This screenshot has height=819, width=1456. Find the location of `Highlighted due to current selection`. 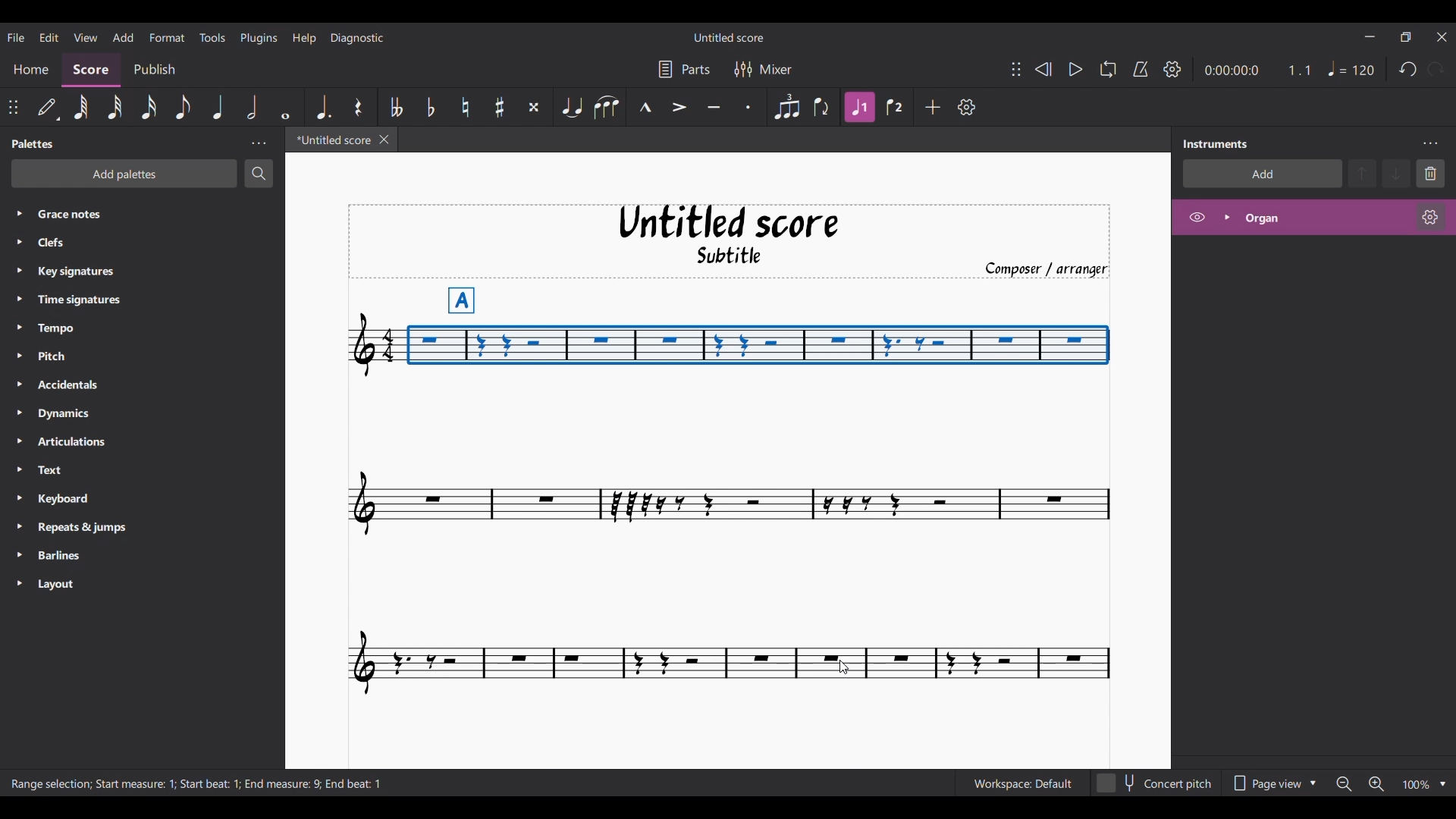

Highlighted due to current selection is located at coordinates (860, 107).